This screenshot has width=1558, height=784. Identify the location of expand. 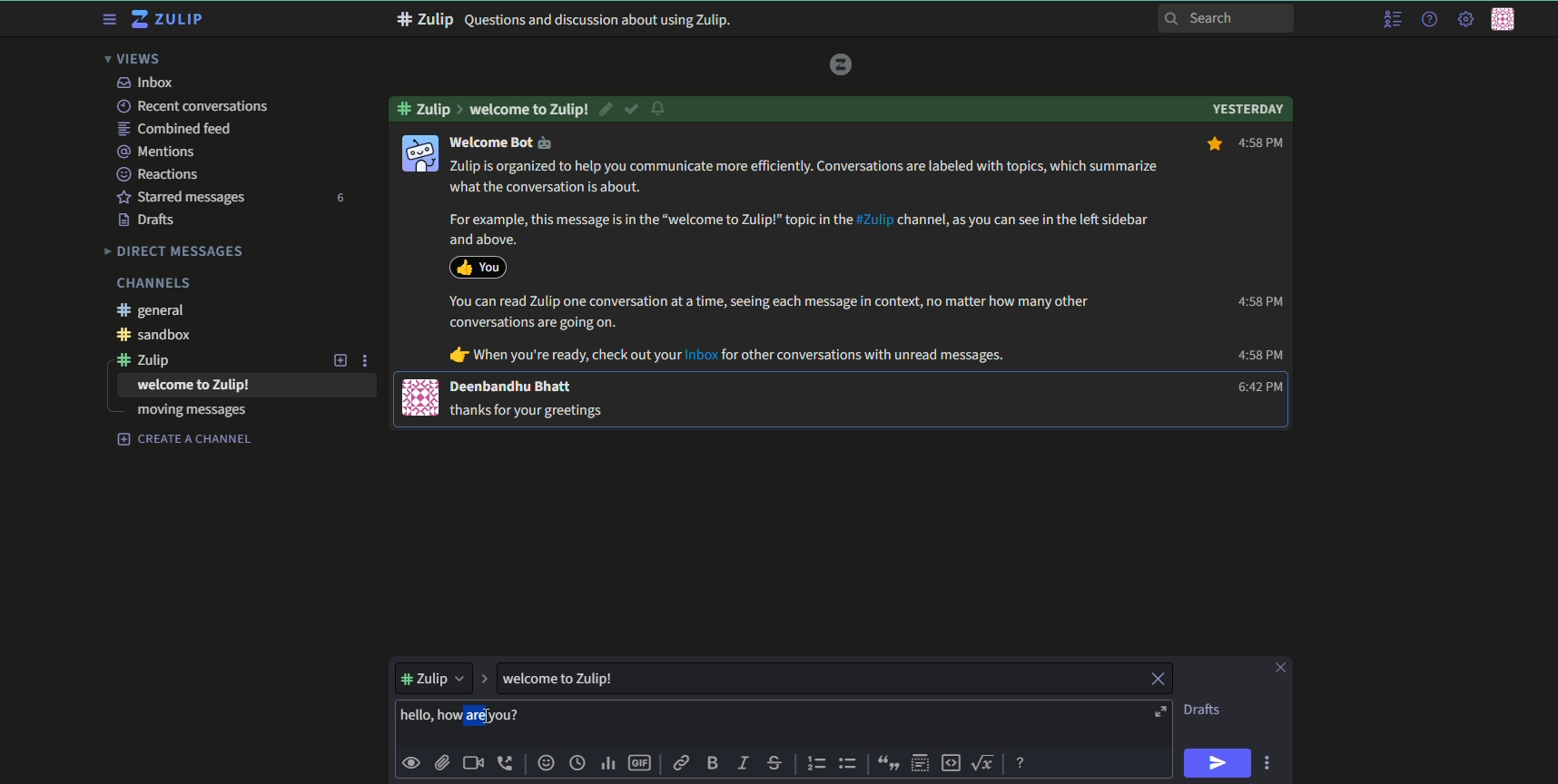
(484, 677).